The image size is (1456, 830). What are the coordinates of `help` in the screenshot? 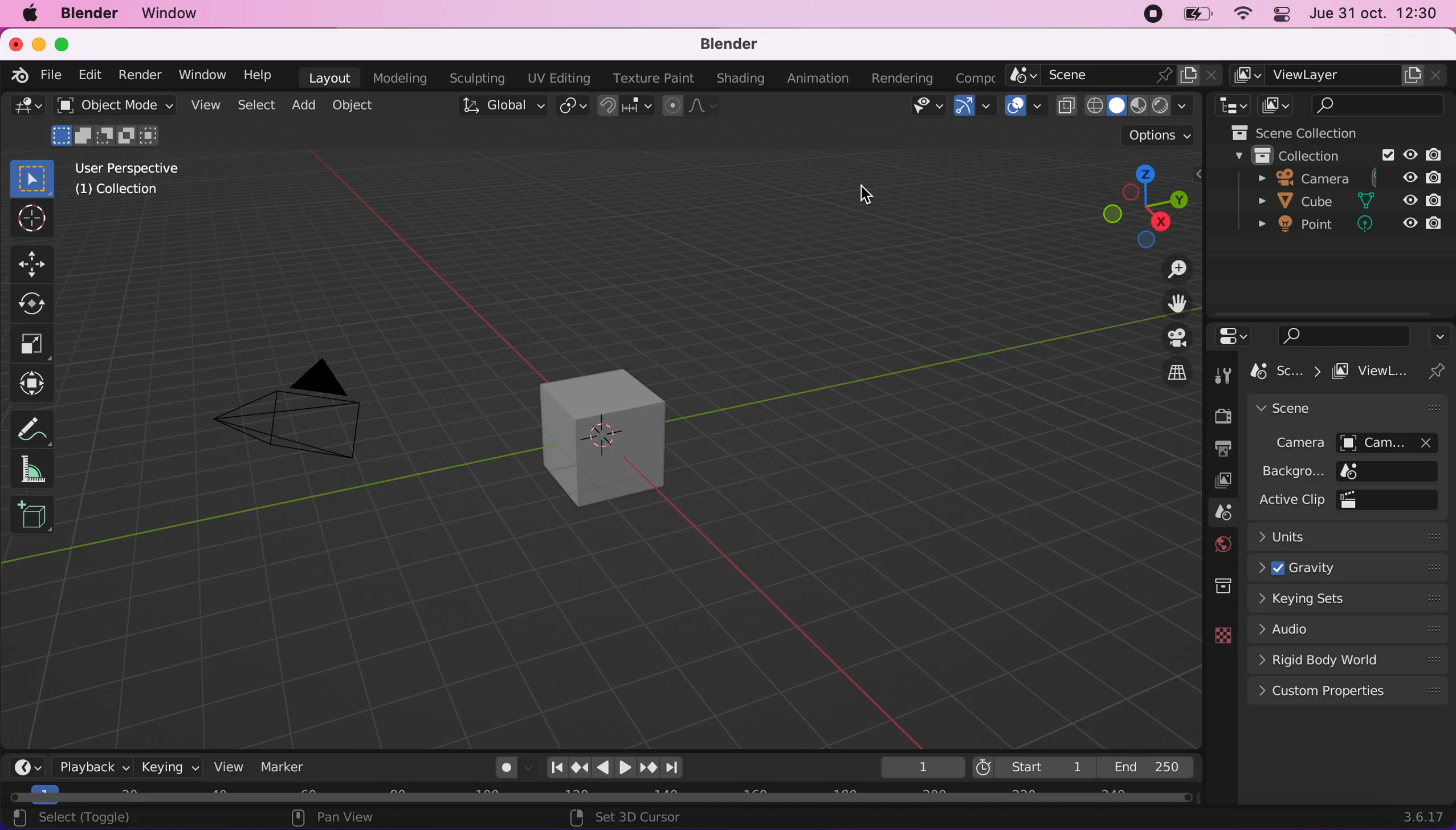 It's located at (260, 74).